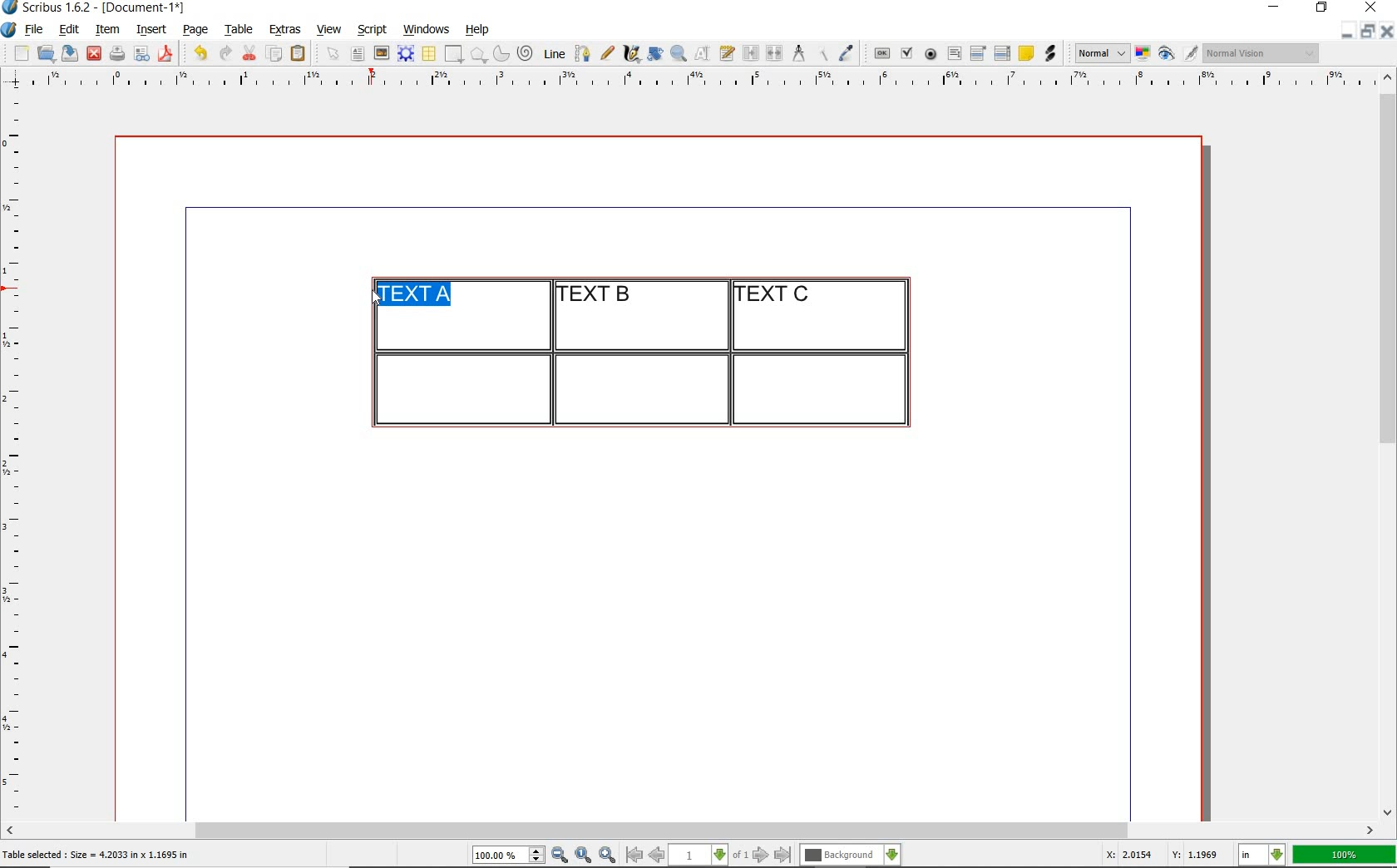 This screenshot has height=868, width=1397. What do you see at coordinates (275, 55) in the screenshot?
I see `copy` at bounding box center [275, 55].